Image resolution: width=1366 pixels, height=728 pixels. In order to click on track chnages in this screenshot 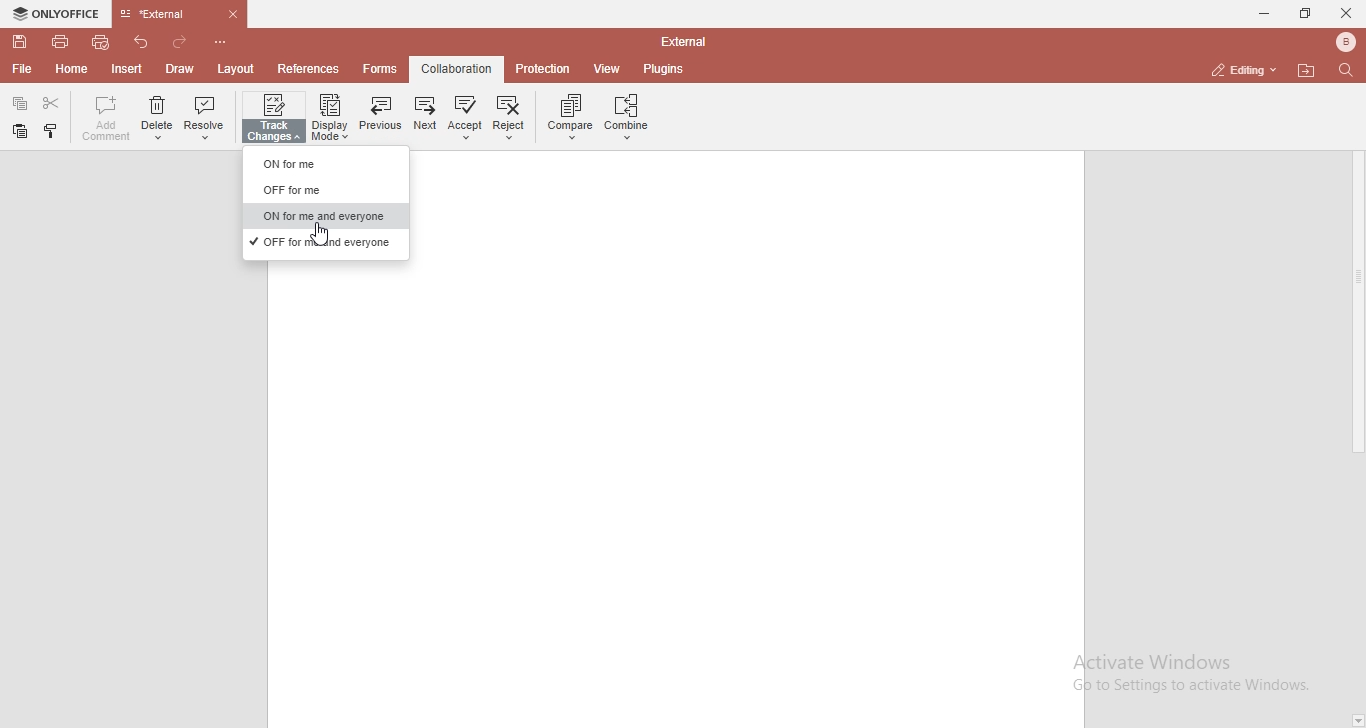, I will do `click(275, 119)`.